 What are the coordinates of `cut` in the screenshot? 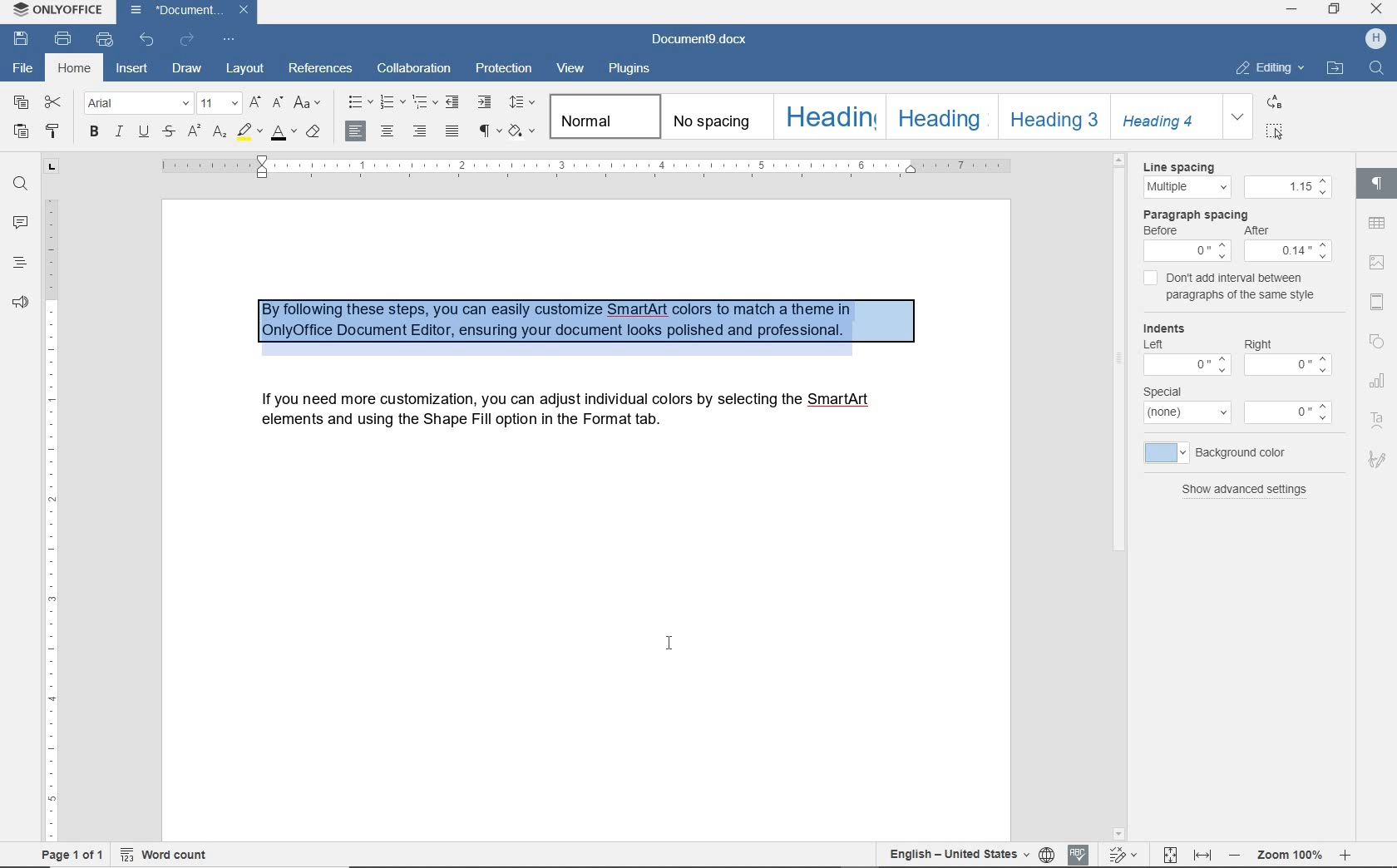 It's located at (54, 102).